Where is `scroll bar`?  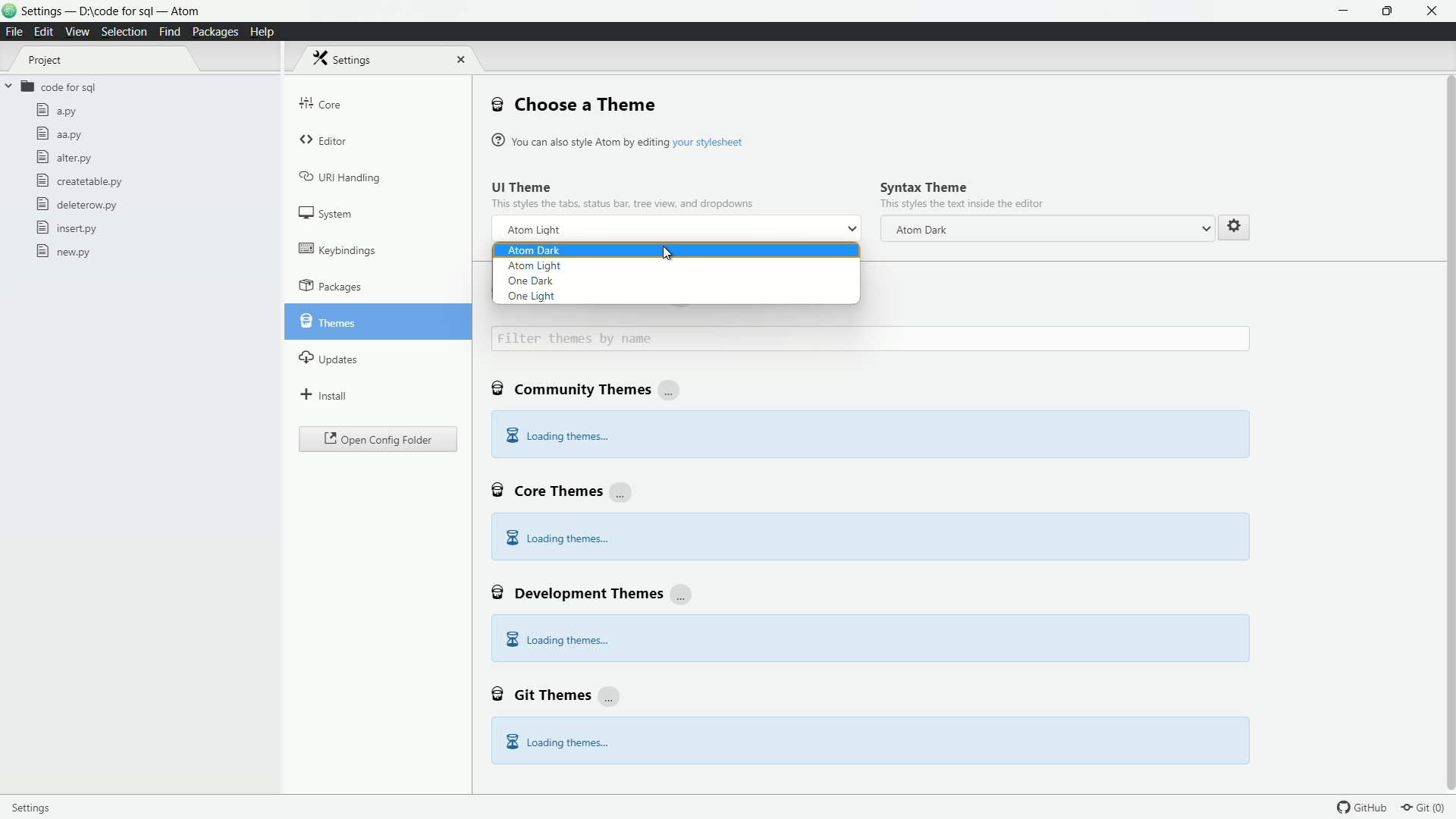
scroll bar is located at coordinates (1447, 368).